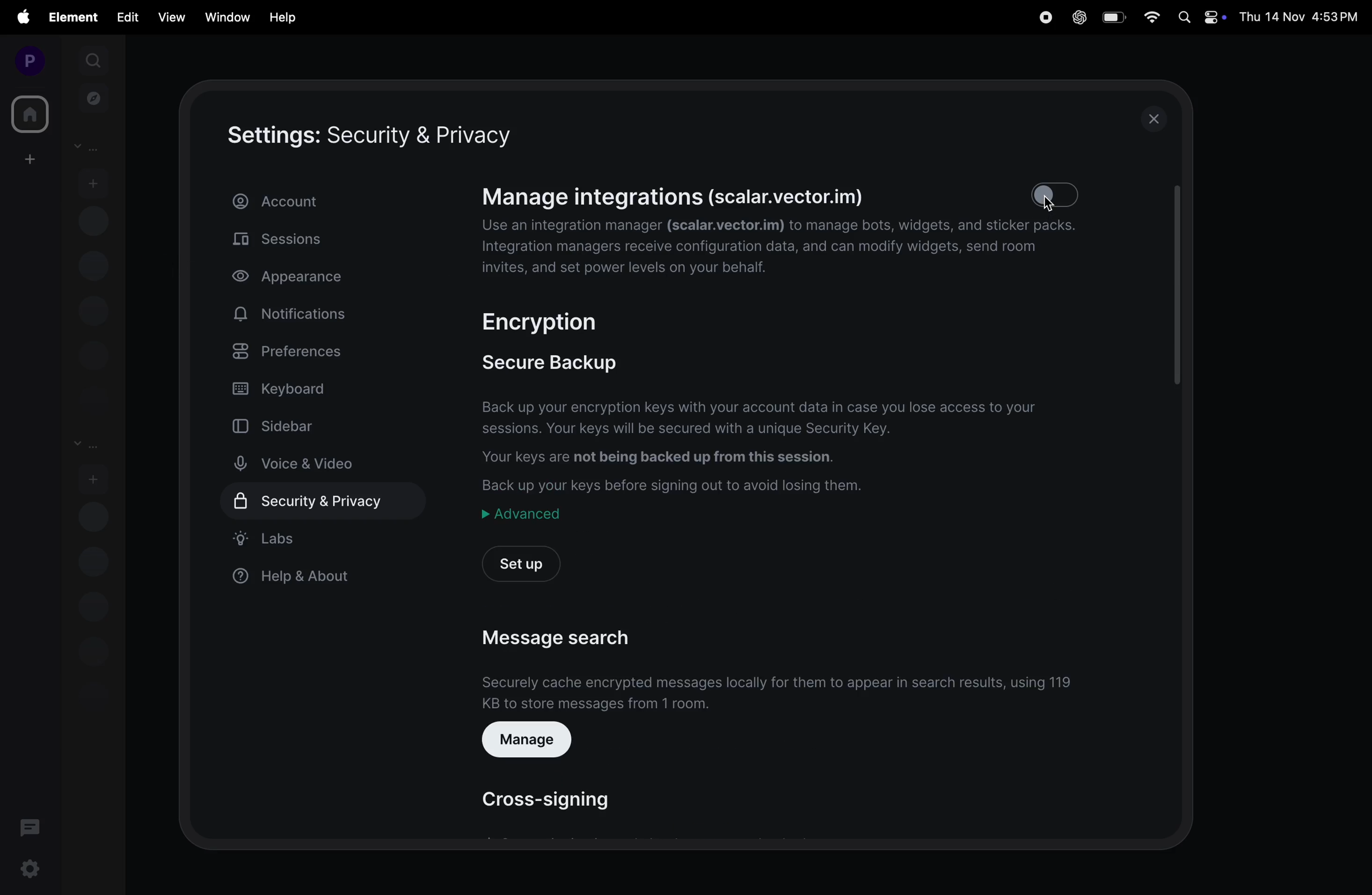 The image size is (1372, 895). I want to click on help, so click(288, 16).